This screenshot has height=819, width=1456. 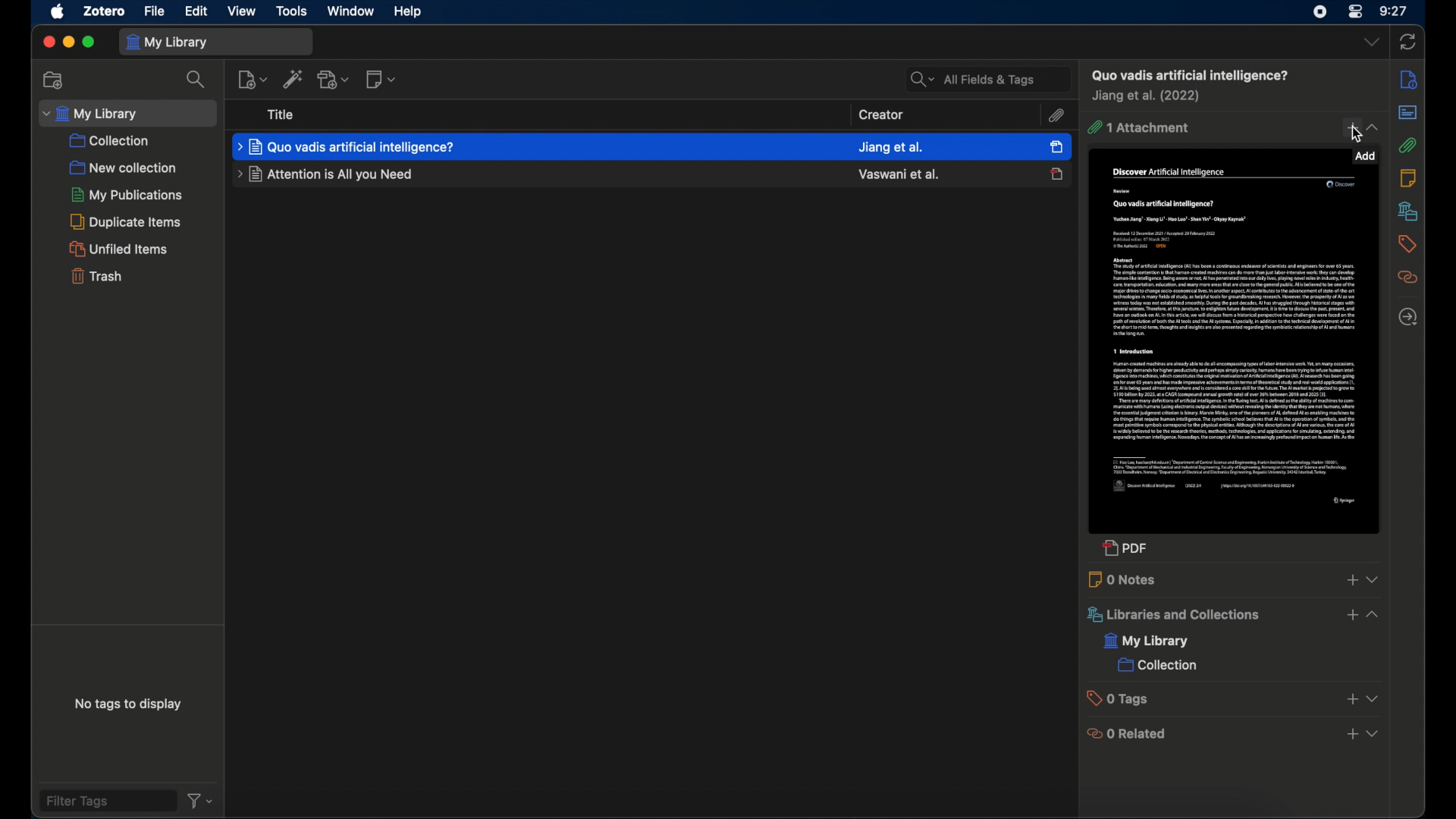 I want to click on attachments, so click(x=1056, y=115).